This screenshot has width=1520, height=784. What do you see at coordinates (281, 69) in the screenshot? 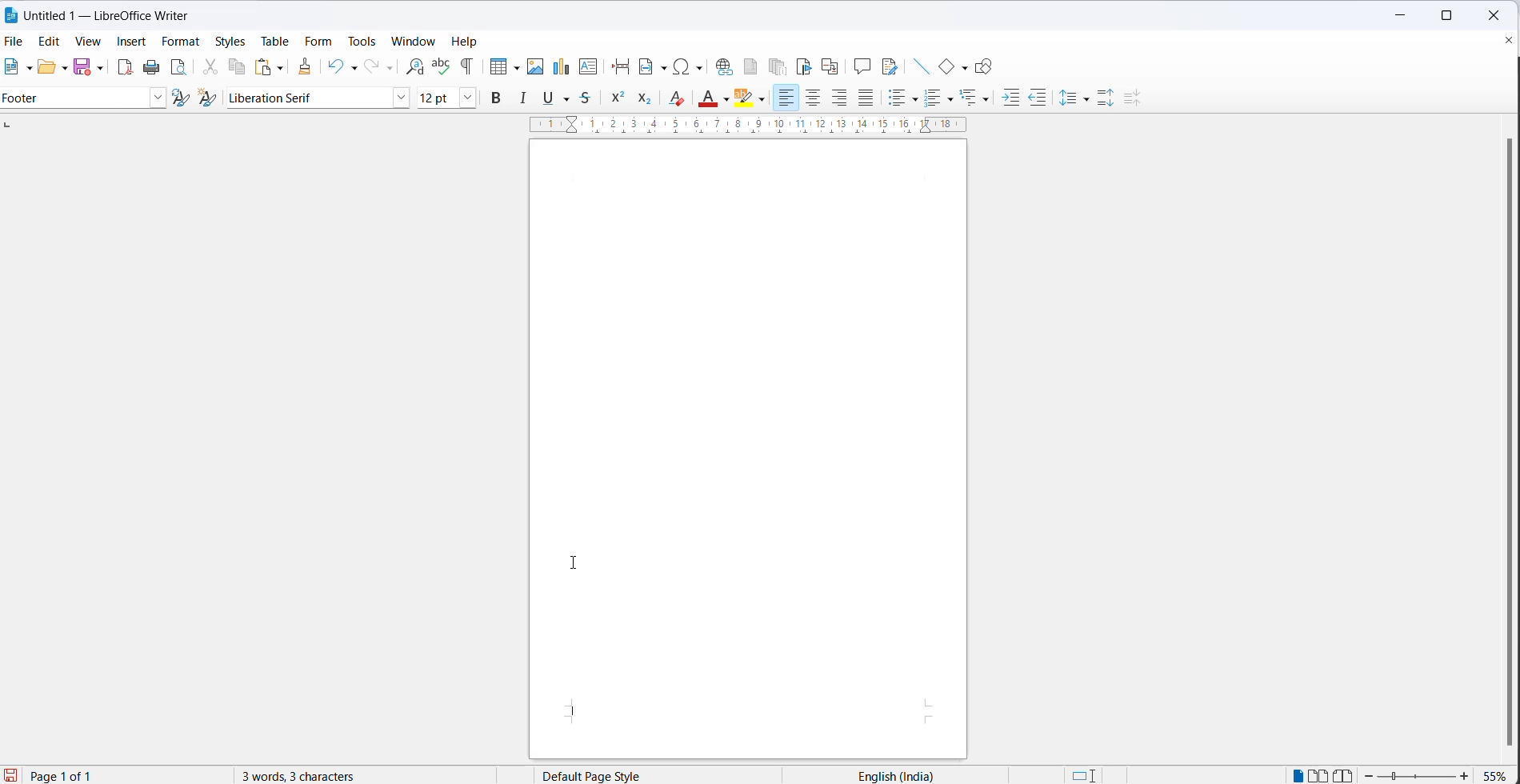
I see `paste options ` at bounding box center [281, 69].